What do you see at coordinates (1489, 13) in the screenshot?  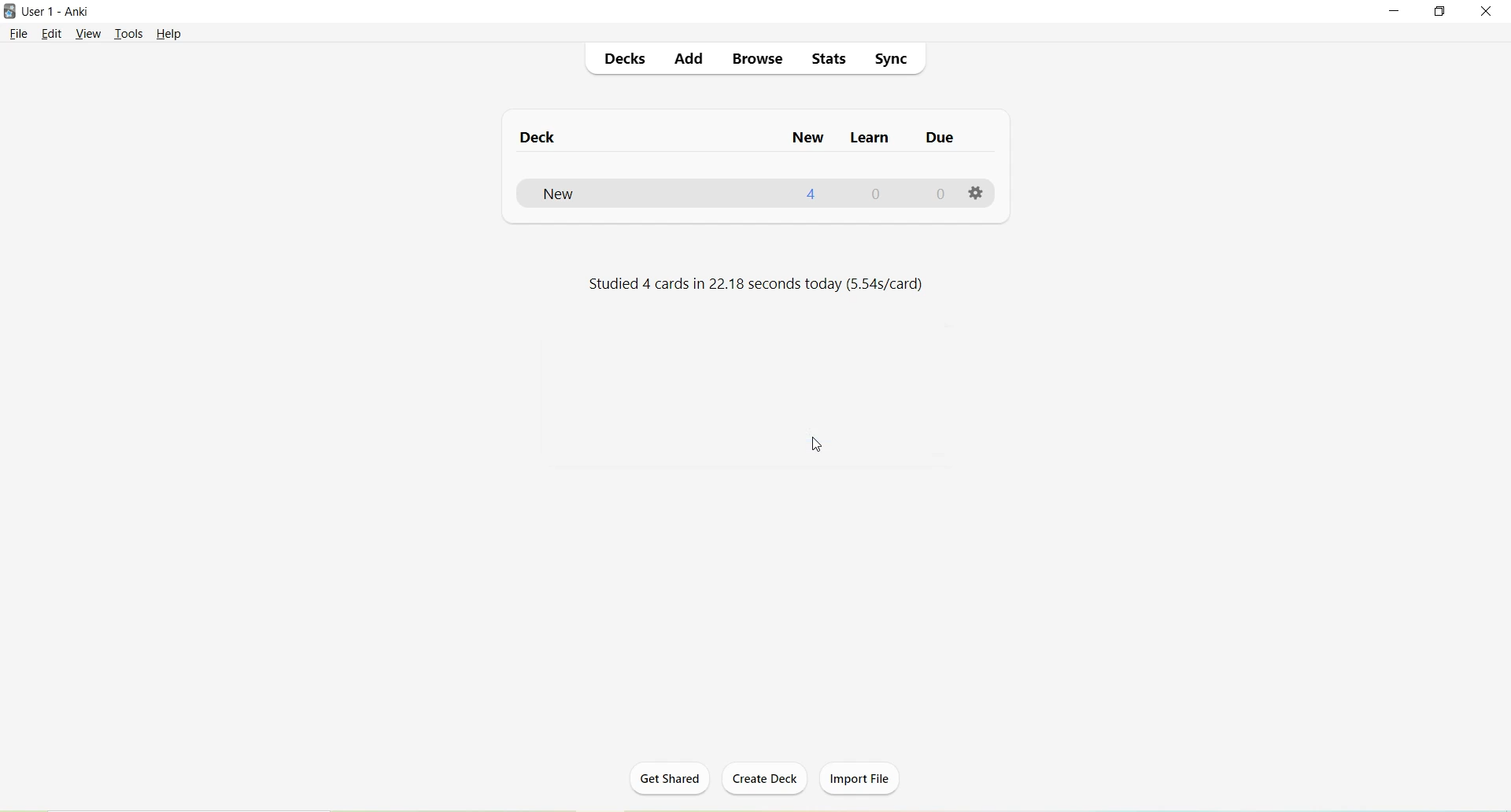 I see `Close` at bounding box center [1489, 13].